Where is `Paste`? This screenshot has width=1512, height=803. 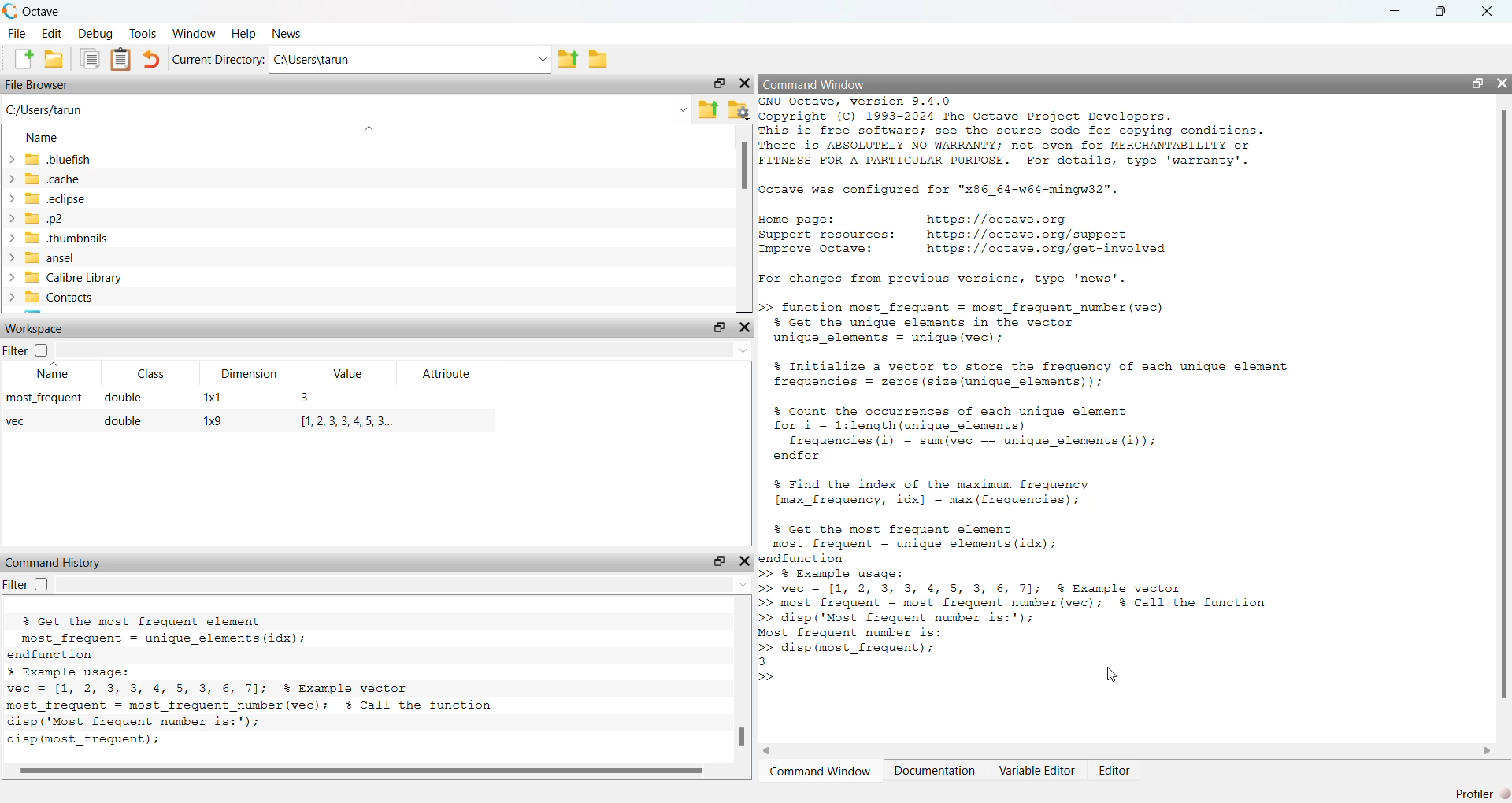
Paste is located at coordinates (120, 60).